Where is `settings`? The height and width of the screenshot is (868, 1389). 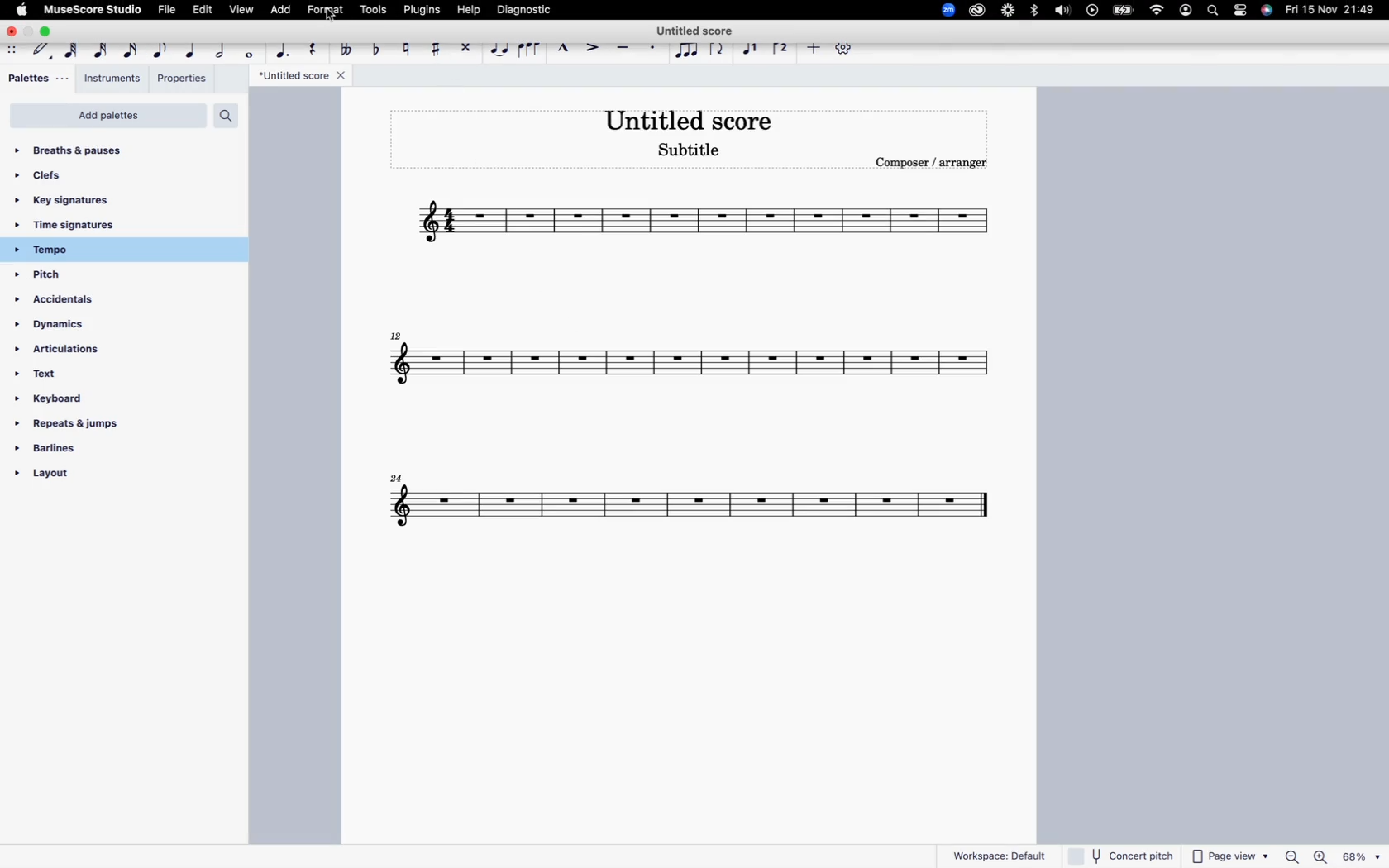
settings is located at coordinates (848, 51).